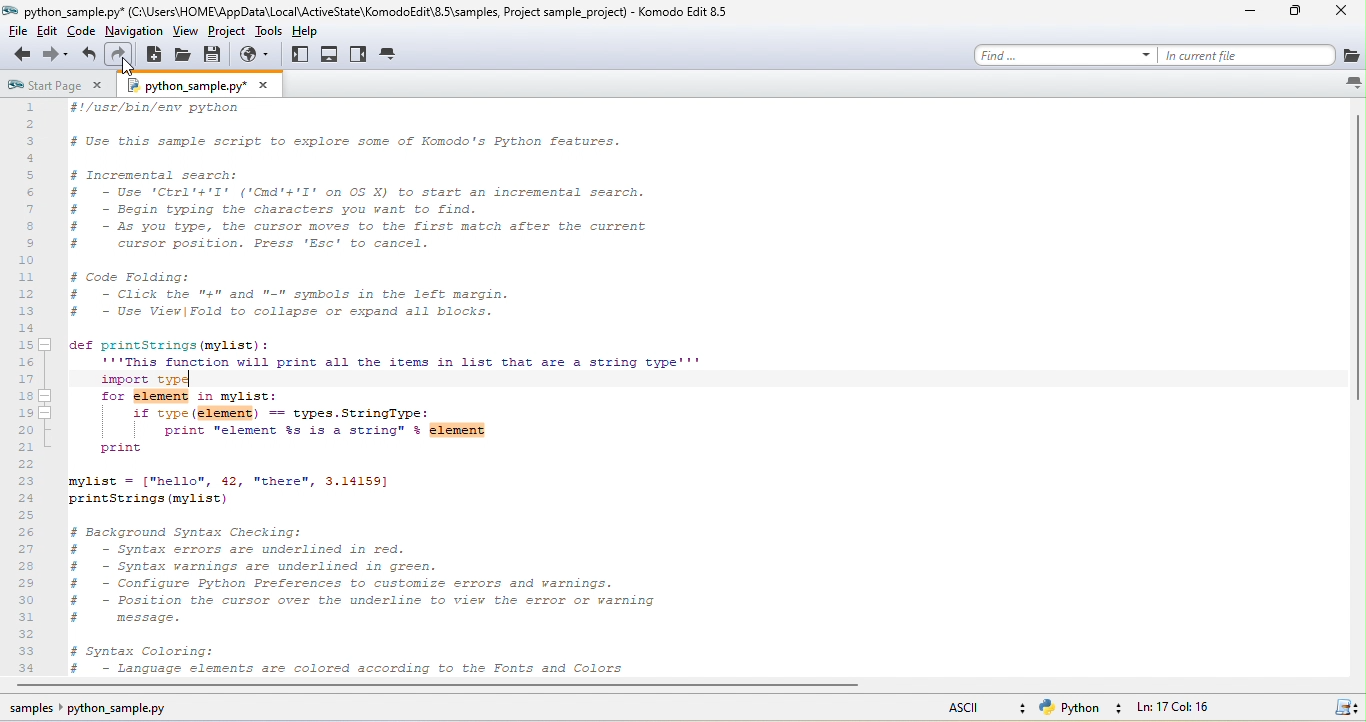 This screenshot has width=1366, height=722. I want to click on line and column, so click(1204, 706).